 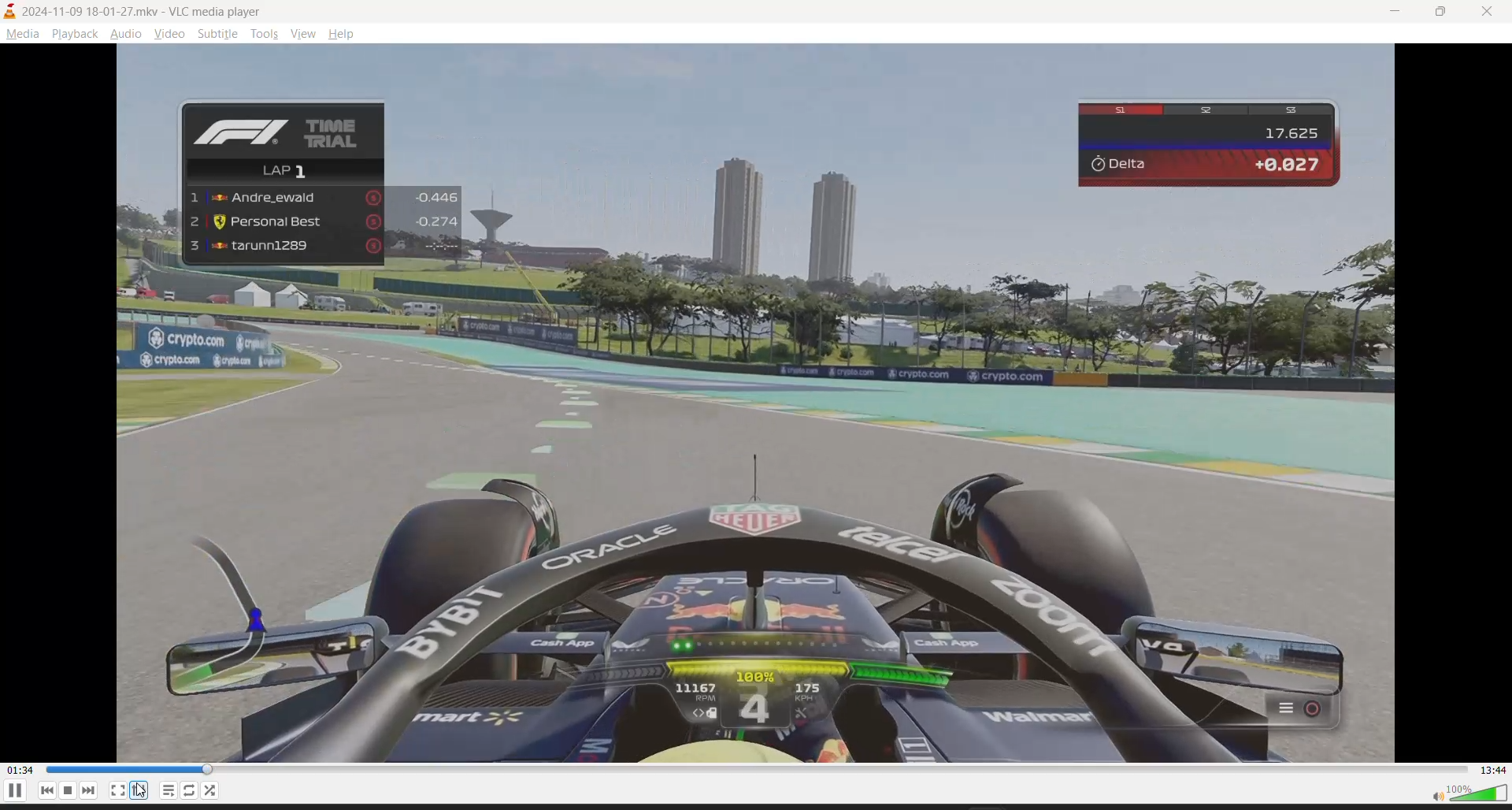 What do you see at coordinates (69, 792) in the screenshot?
I see `stop` at bounding box center [69, 792].